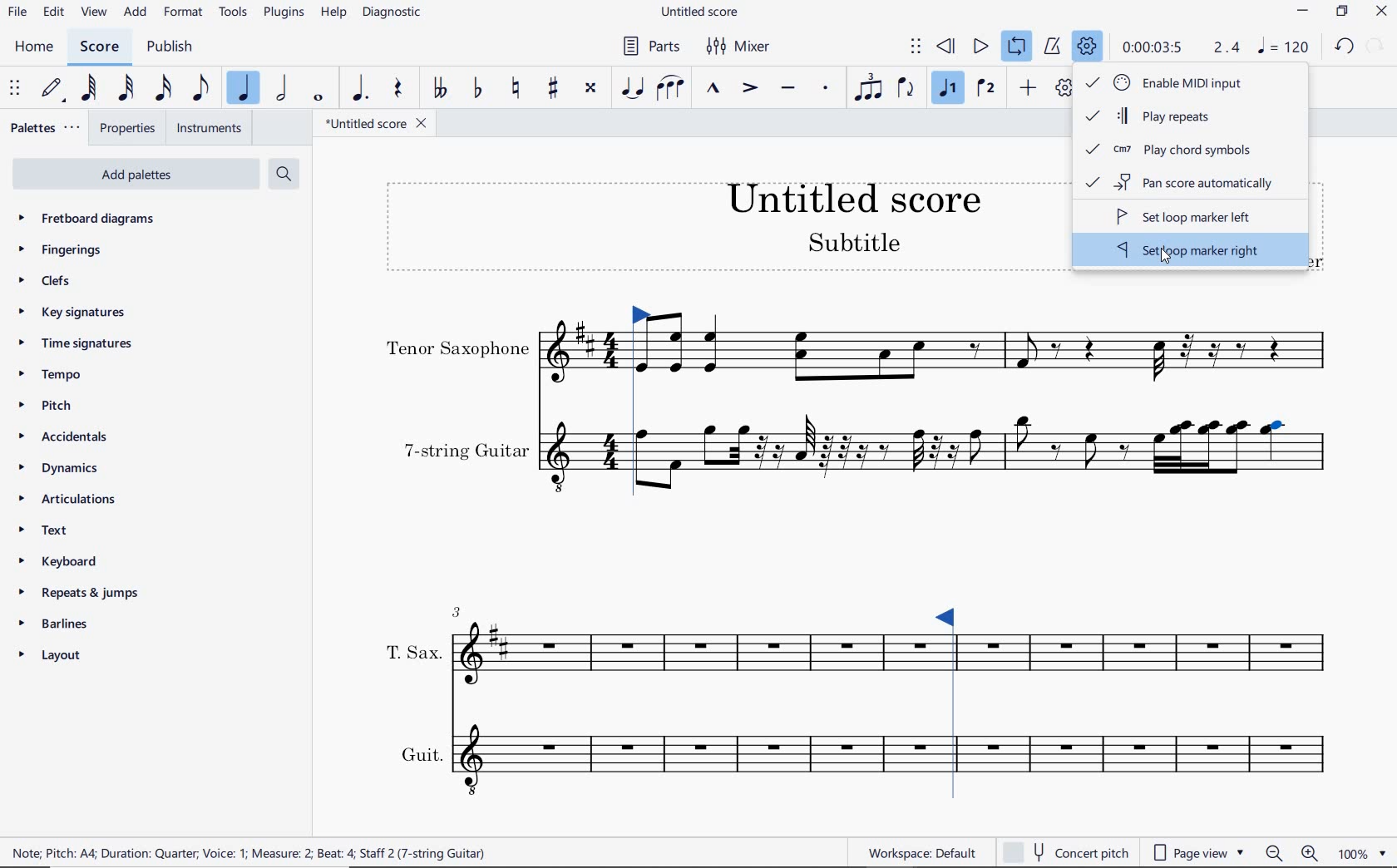 This screenshot has height=868, width=1397. Describe the element at coordinates (136, 11) in the screenshot. I see `ADD` at that location.